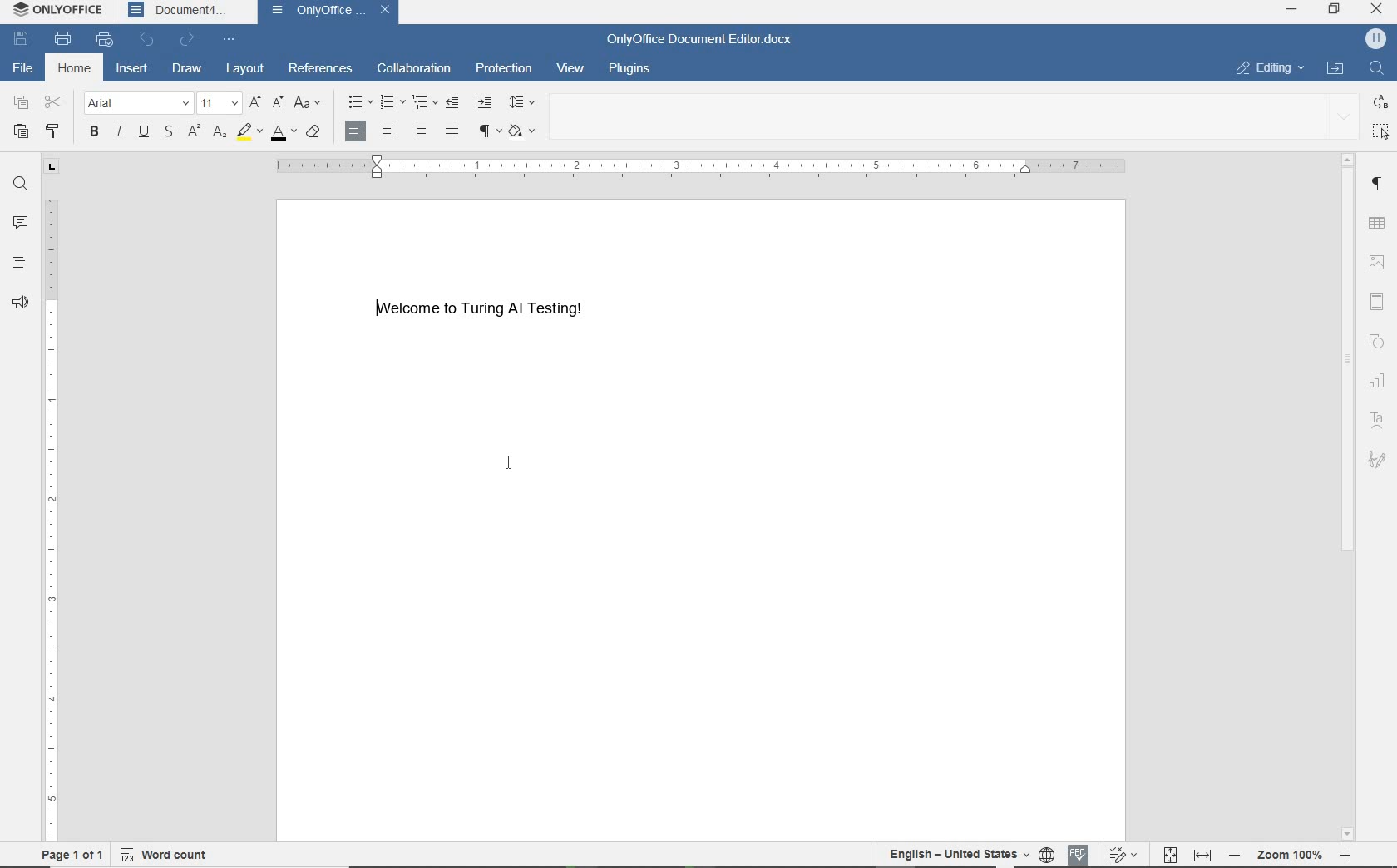  What do you see at coordinates (21, 224) in the screenshot?
I see `comments` at bounding box center [21, 224].